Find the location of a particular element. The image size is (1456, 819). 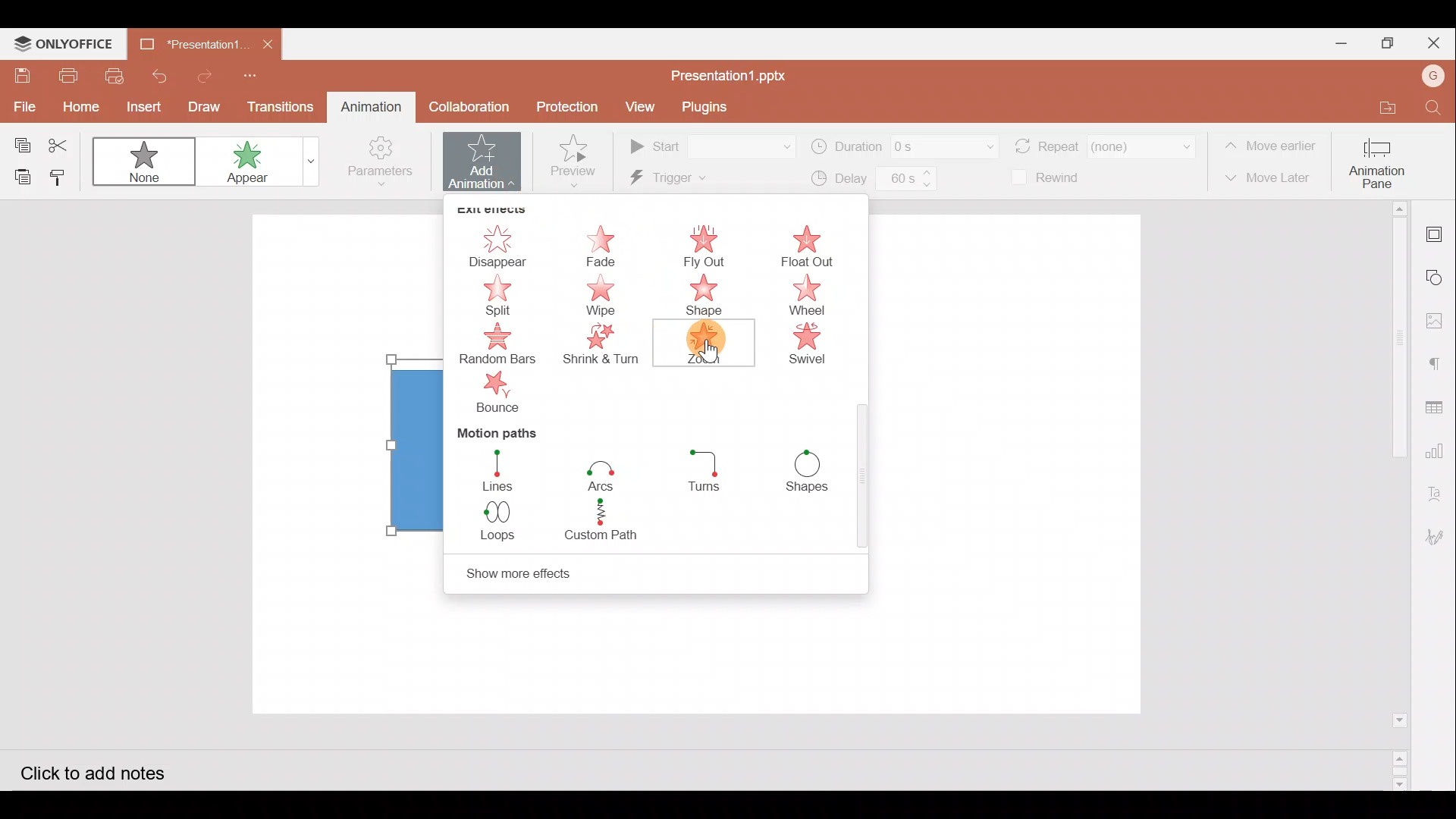

Repeat is located at coordinates (1103, 140).